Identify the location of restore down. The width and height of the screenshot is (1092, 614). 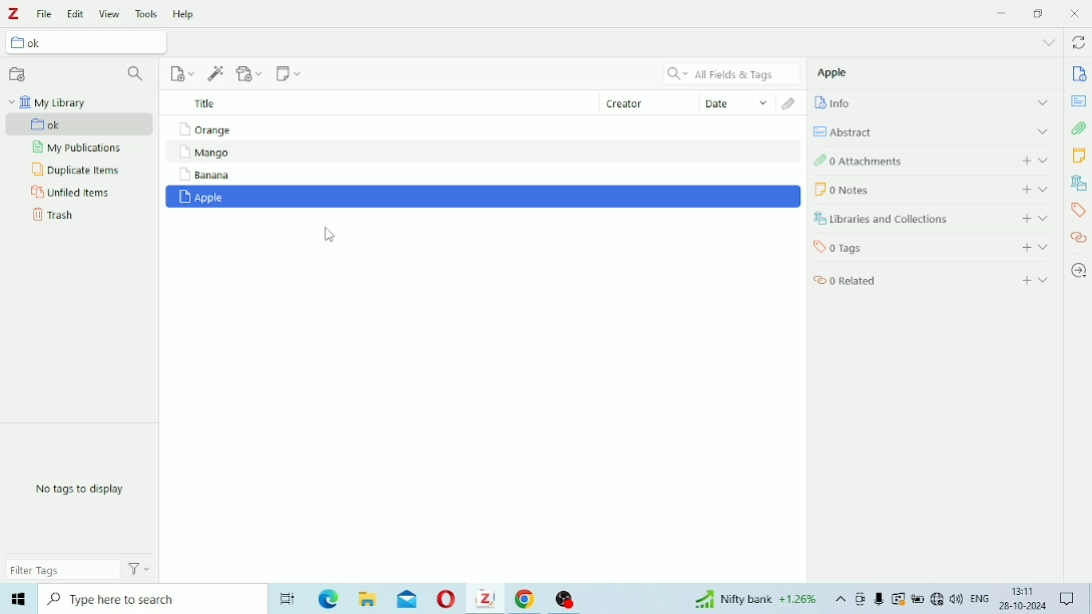
(1040, 13).